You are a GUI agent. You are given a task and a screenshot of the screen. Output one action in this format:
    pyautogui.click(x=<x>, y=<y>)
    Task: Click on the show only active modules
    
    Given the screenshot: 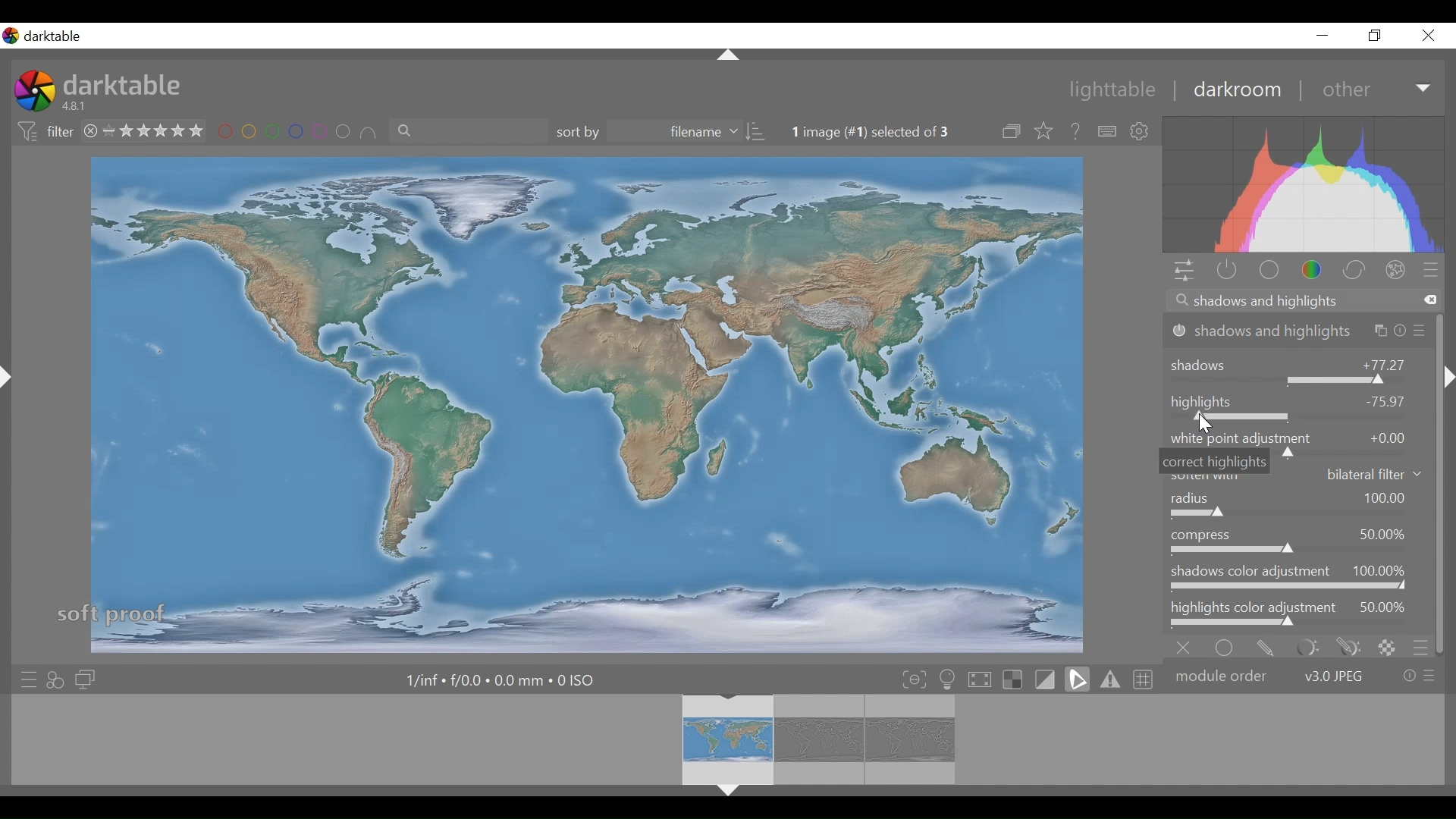 What is the action you would take?
    pyautogui.click(x=1226, y=271)
    